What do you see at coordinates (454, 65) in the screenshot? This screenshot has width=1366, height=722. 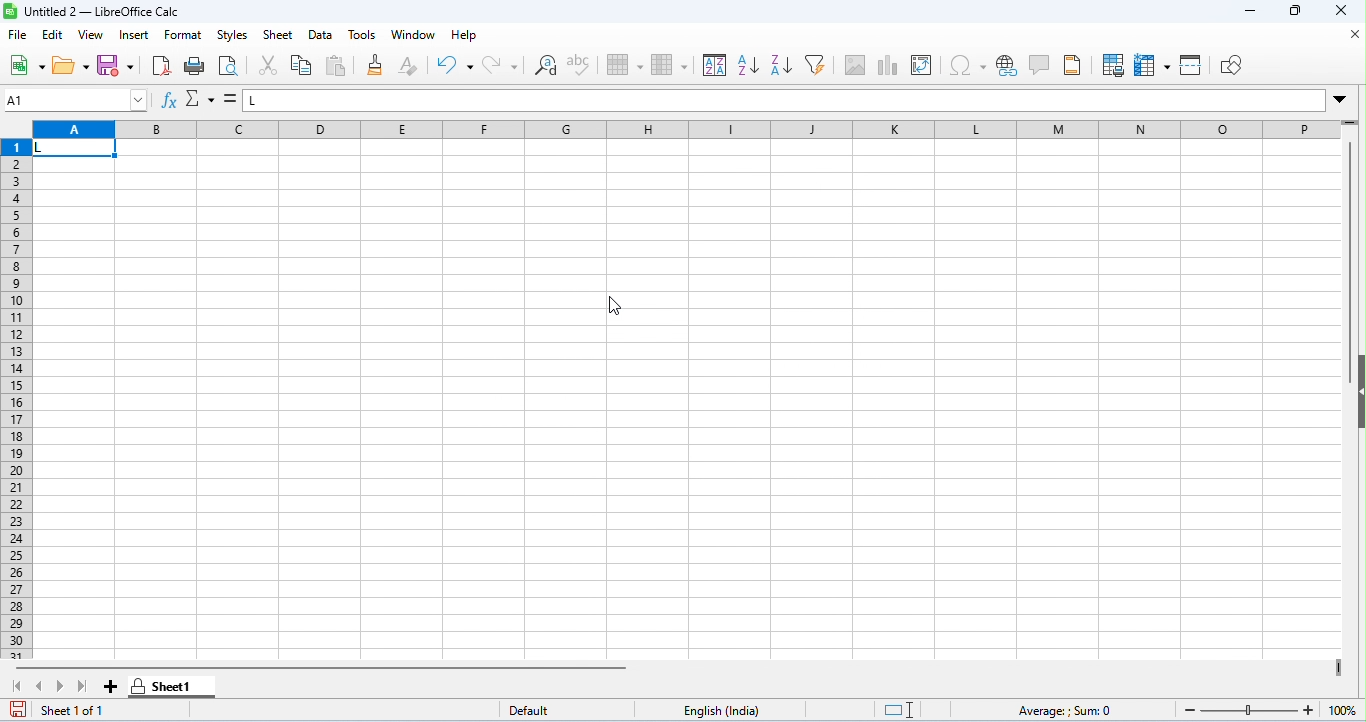 I see `undo ` at bounding box center [454, 65].